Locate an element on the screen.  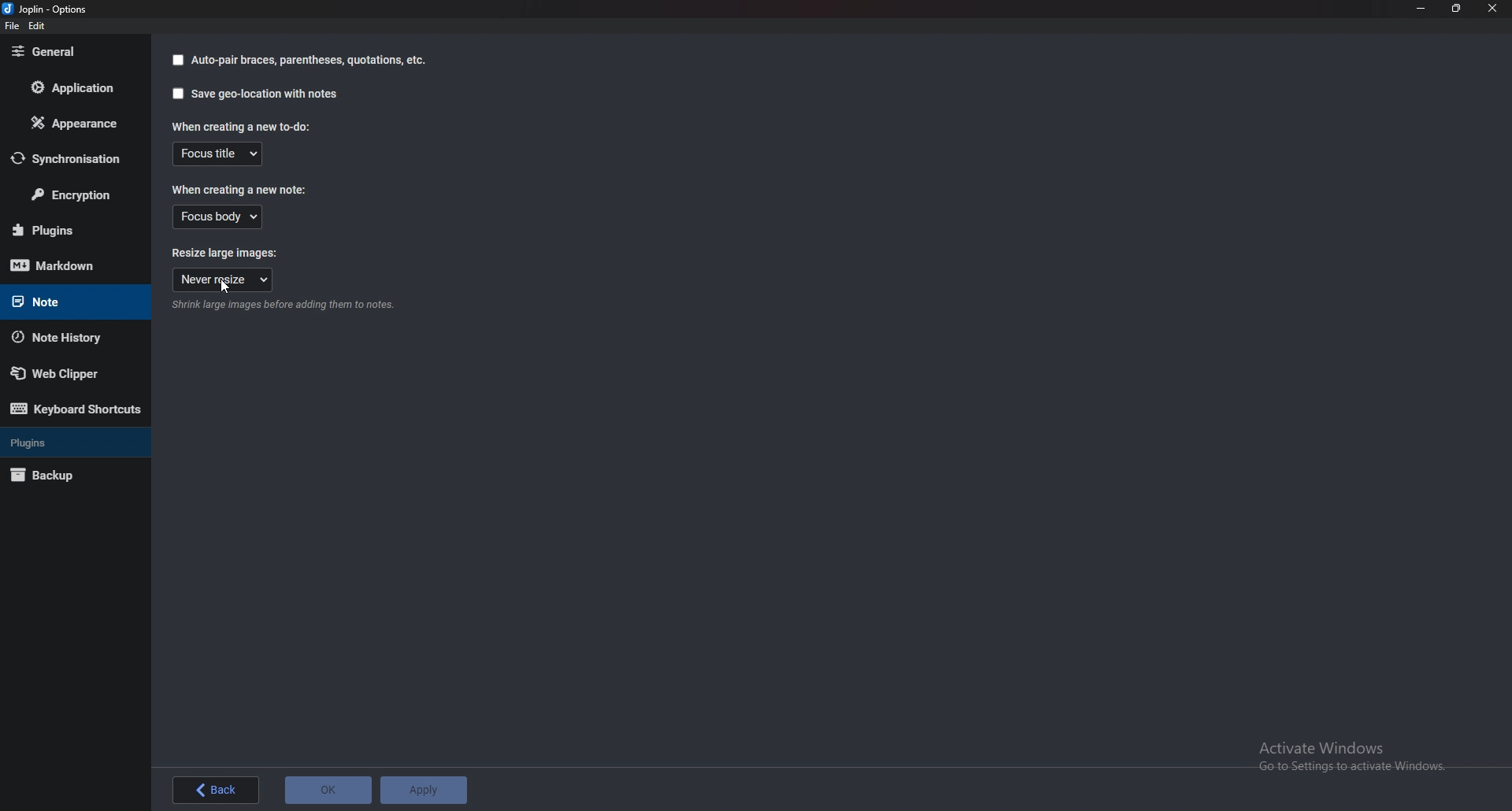
Close is located at coordinates (1492, 9).